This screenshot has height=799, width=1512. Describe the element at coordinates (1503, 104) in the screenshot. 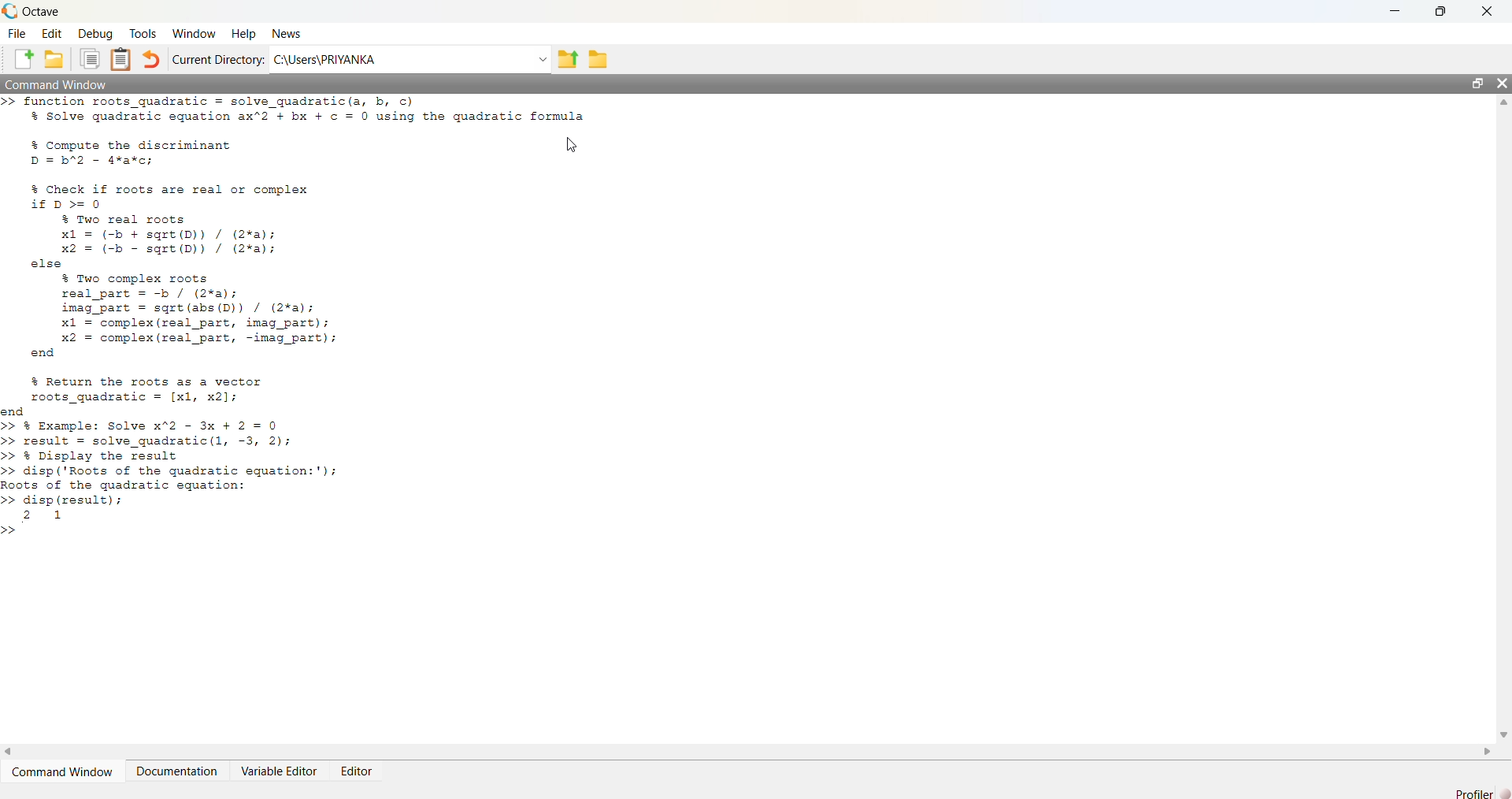

I see `Up` at that location.